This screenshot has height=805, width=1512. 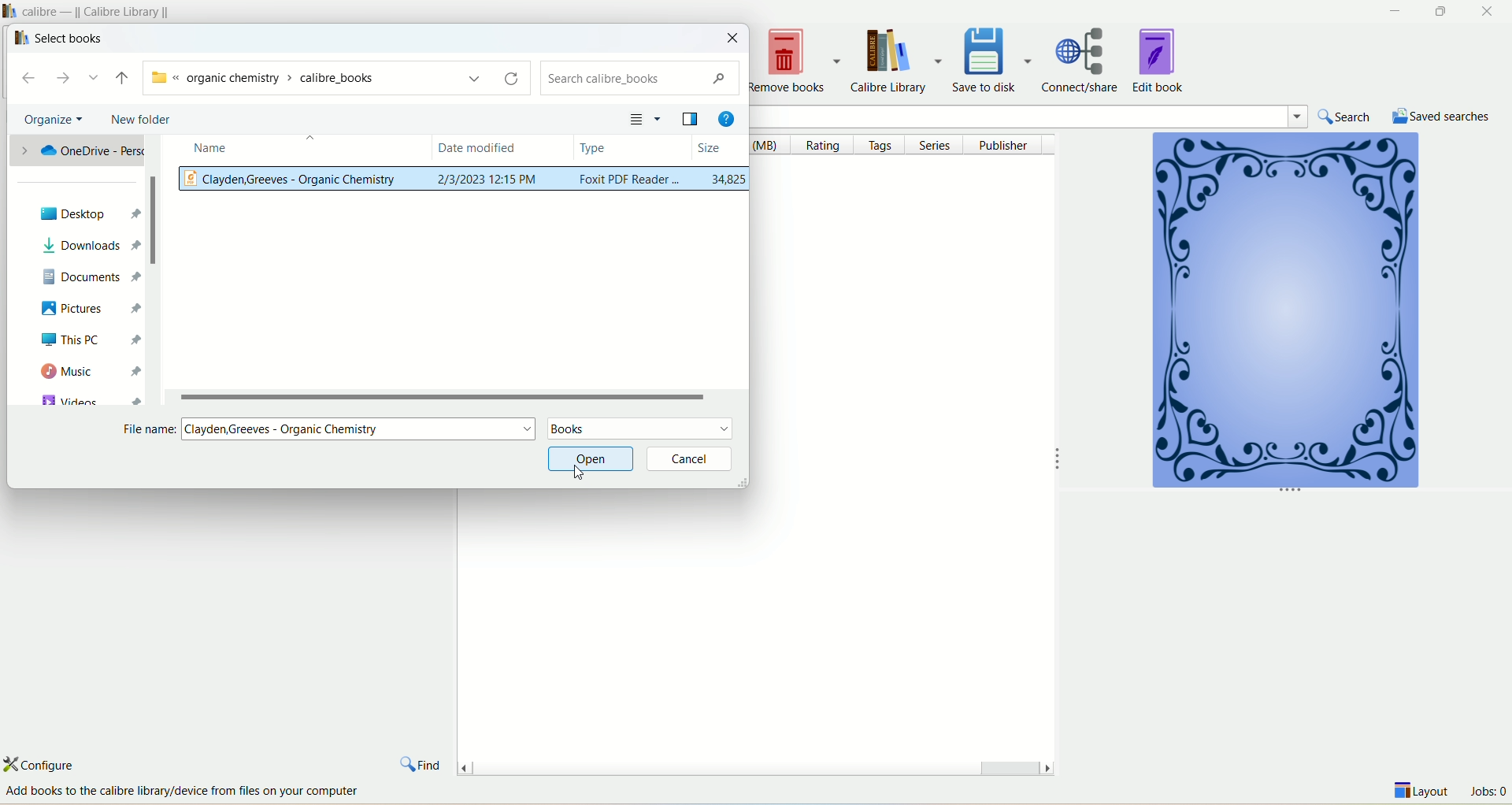 What do you see at coordinates (1392, 11) in the screenshot?
I see `minimize` at bounding box center [1392, 11].